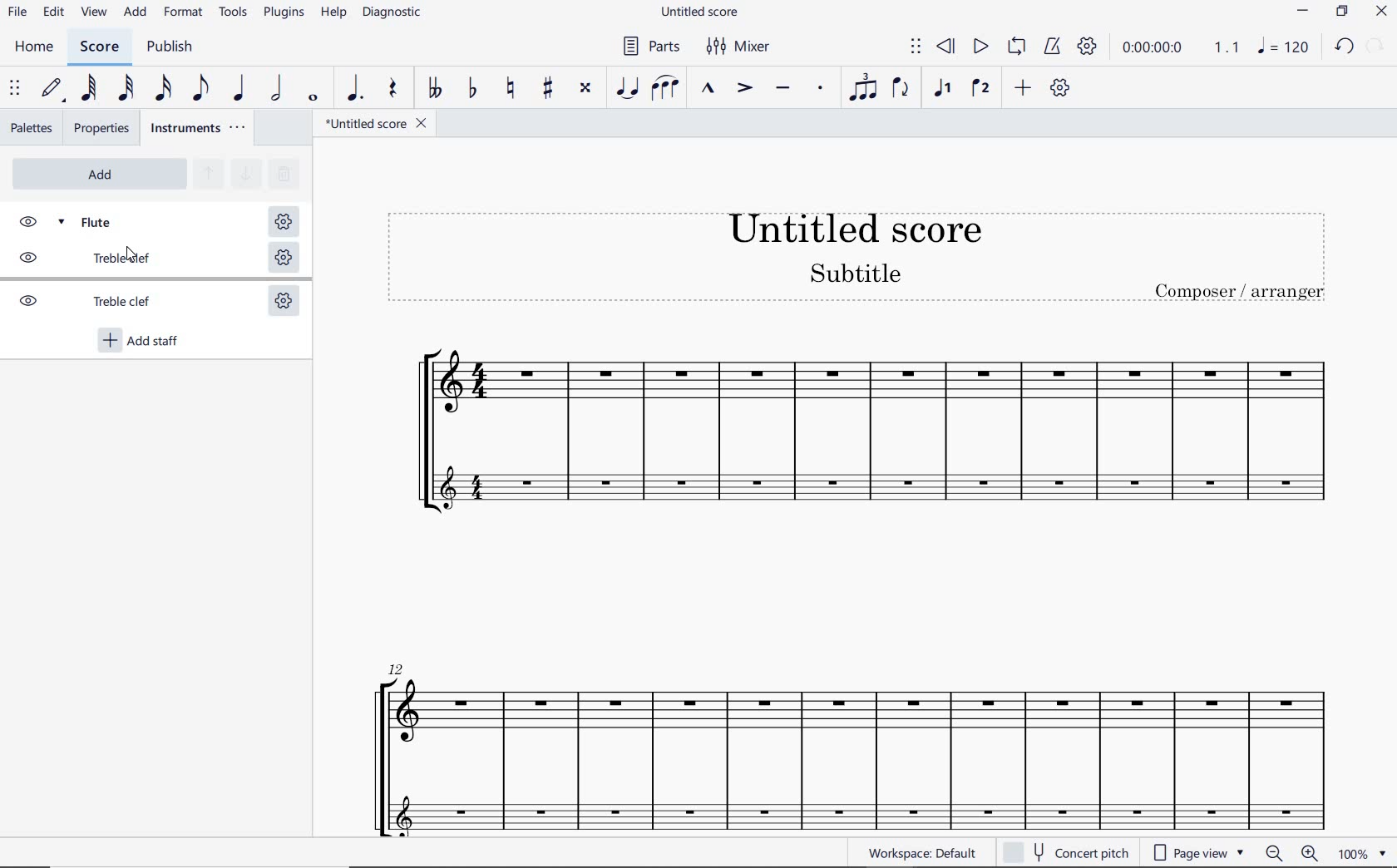 This screenshot has width=1397, height=868. What do you see at coordinates (708, 89) in the screenshot?
I see `MARCATO` at bounding box center [708, 89].